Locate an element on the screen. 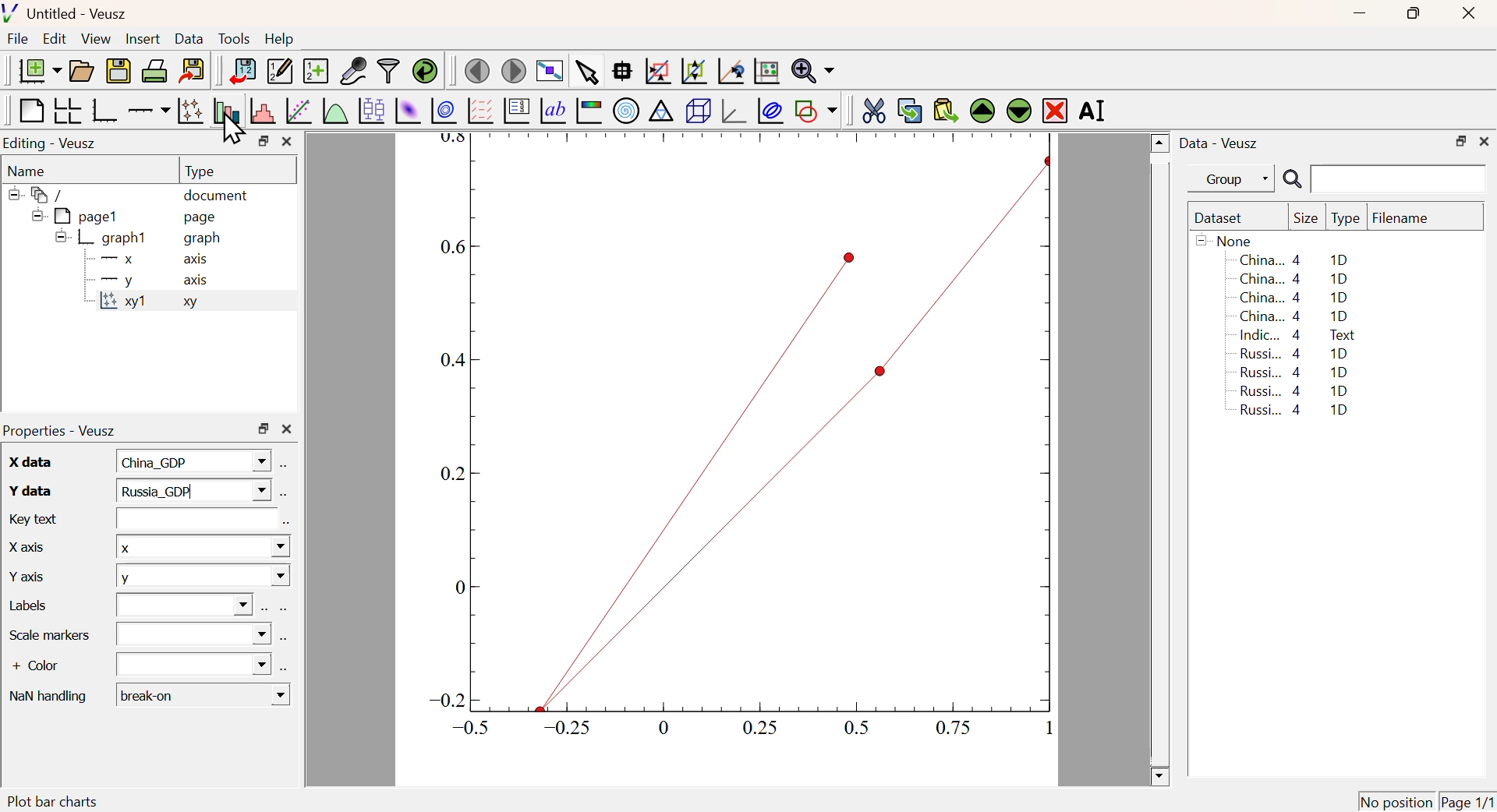 This screenshot has width=1497, height=812. Insert is located at coordinates (141, 40).